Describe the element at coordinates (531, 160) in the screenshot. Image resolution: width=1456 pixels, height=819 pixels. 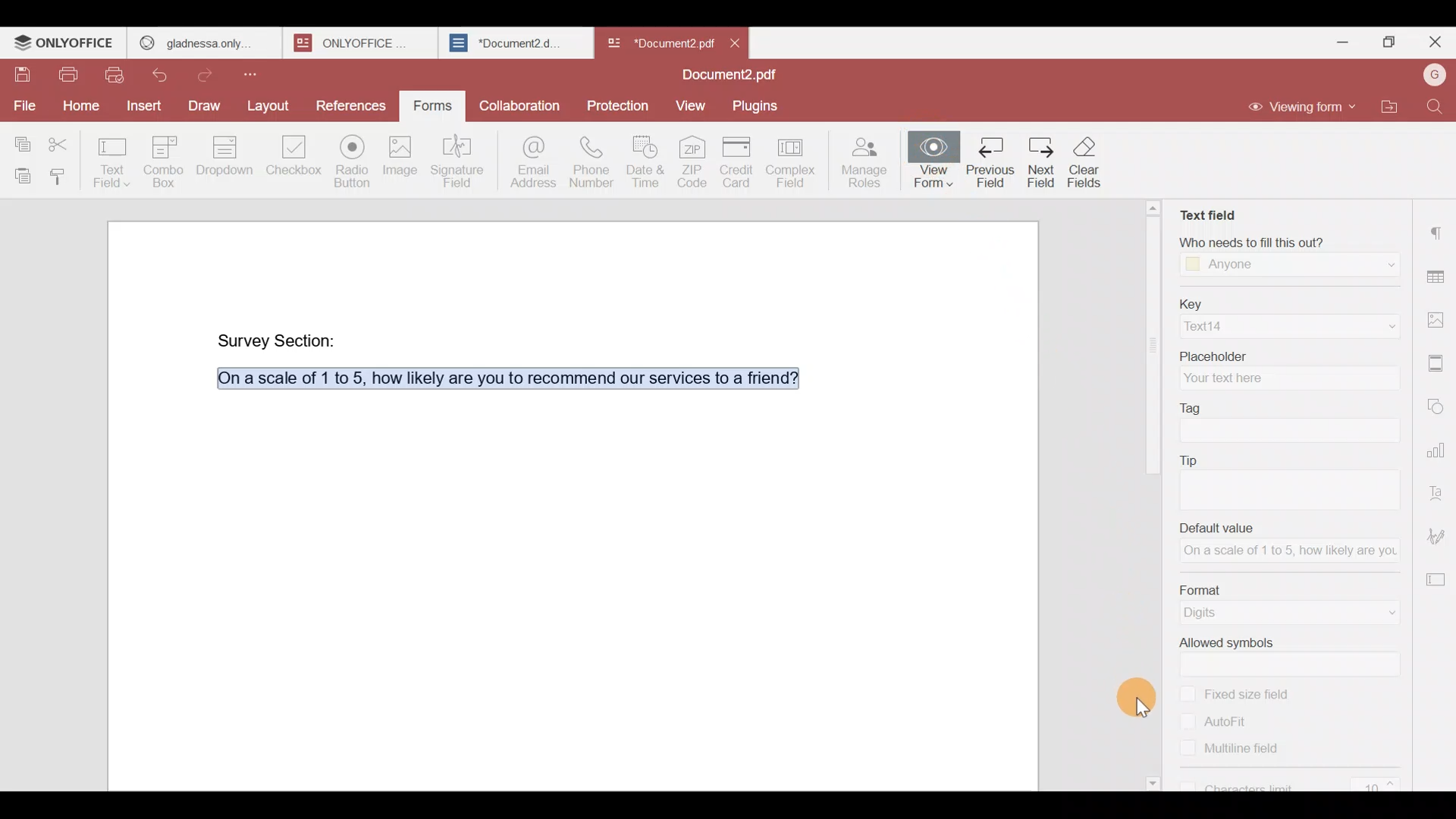
I see `Email address` at that location.